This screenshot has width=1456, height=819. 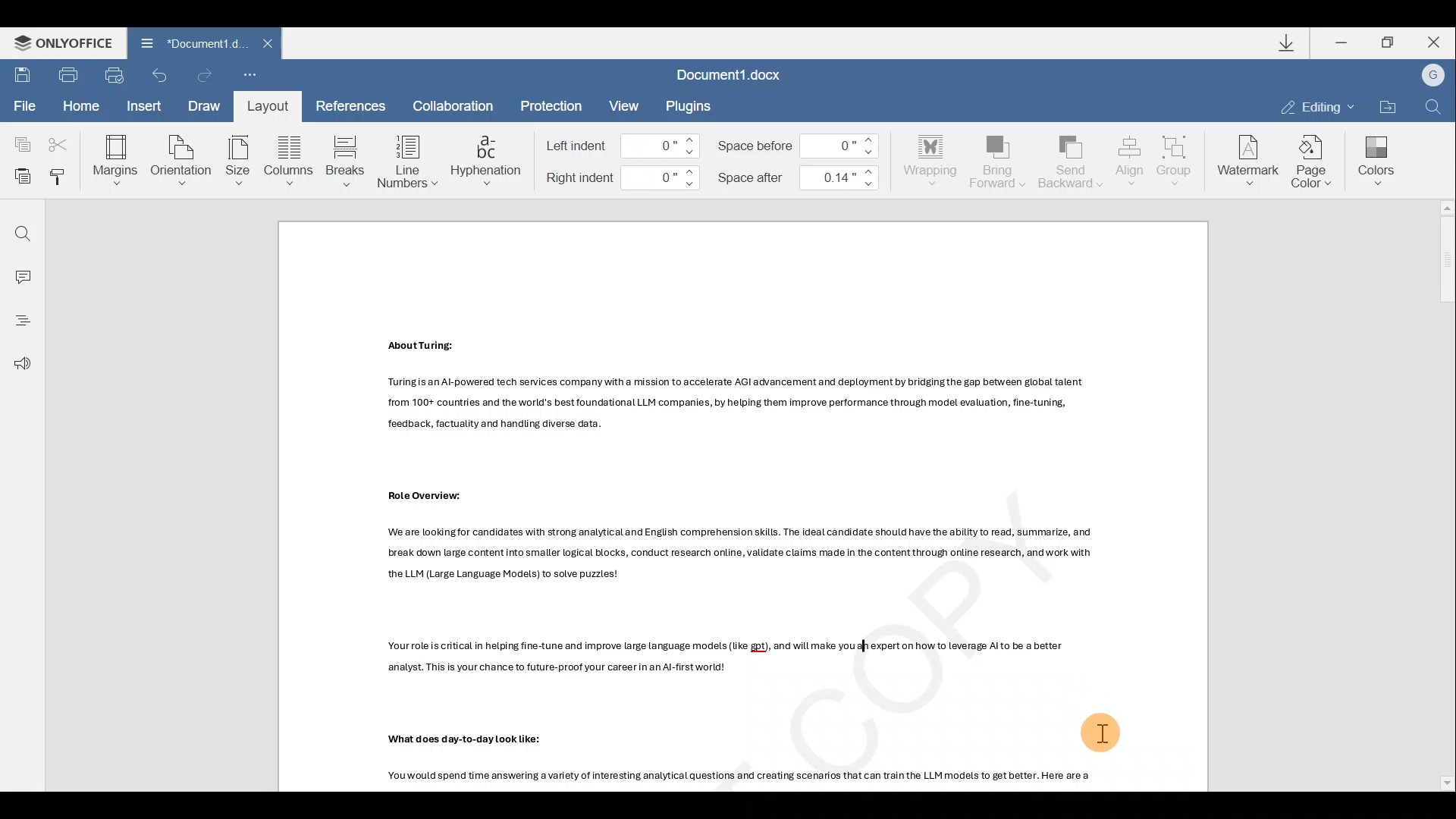 What do you see at coordinates (1247, 162) in the screenshot?
I see `Watermark` at bounding box center [1247, 162].